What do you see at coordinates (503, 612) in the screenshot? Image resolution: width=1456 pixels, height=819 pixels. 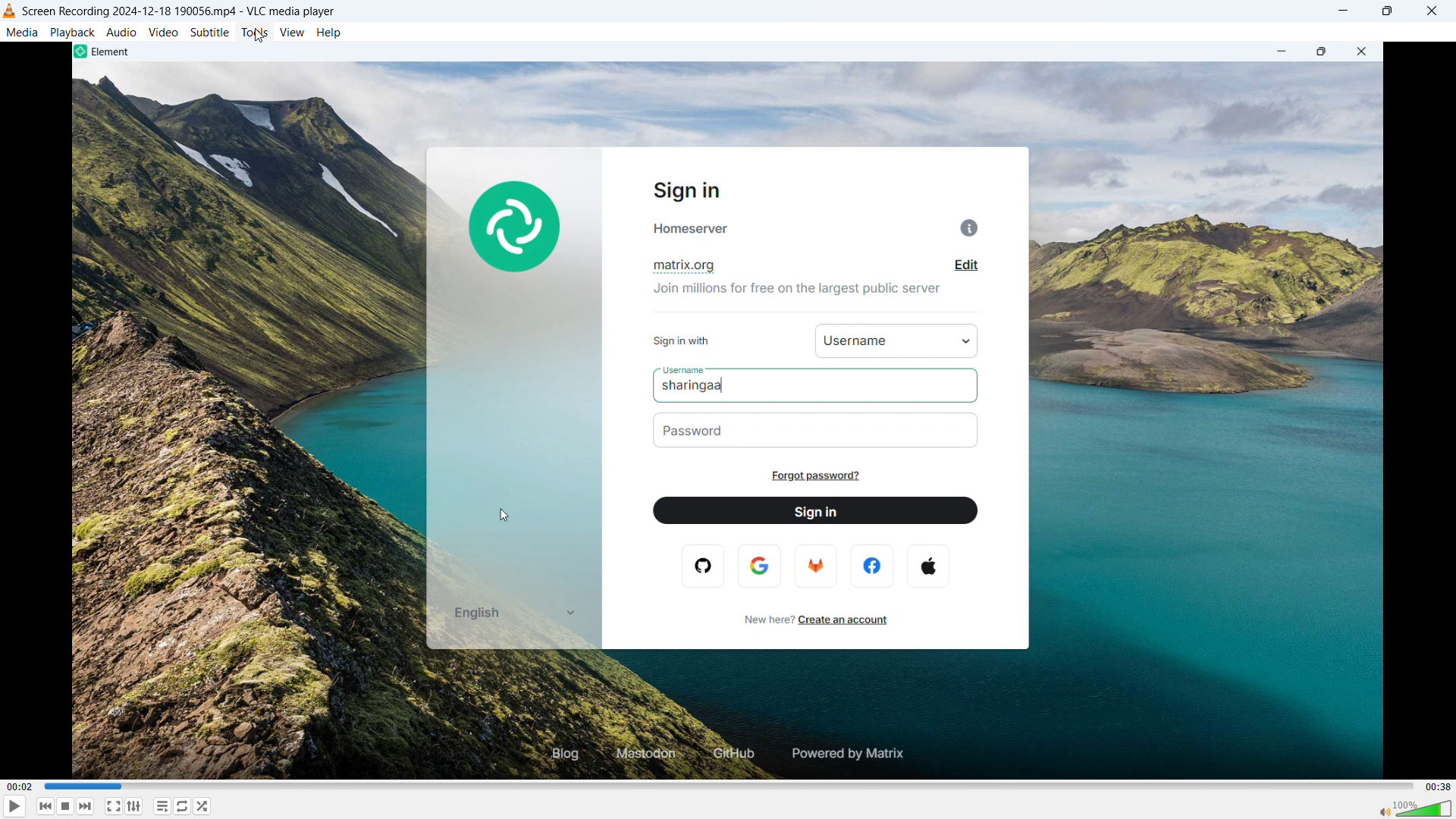 I see `english` at bounding box center [503, 612].